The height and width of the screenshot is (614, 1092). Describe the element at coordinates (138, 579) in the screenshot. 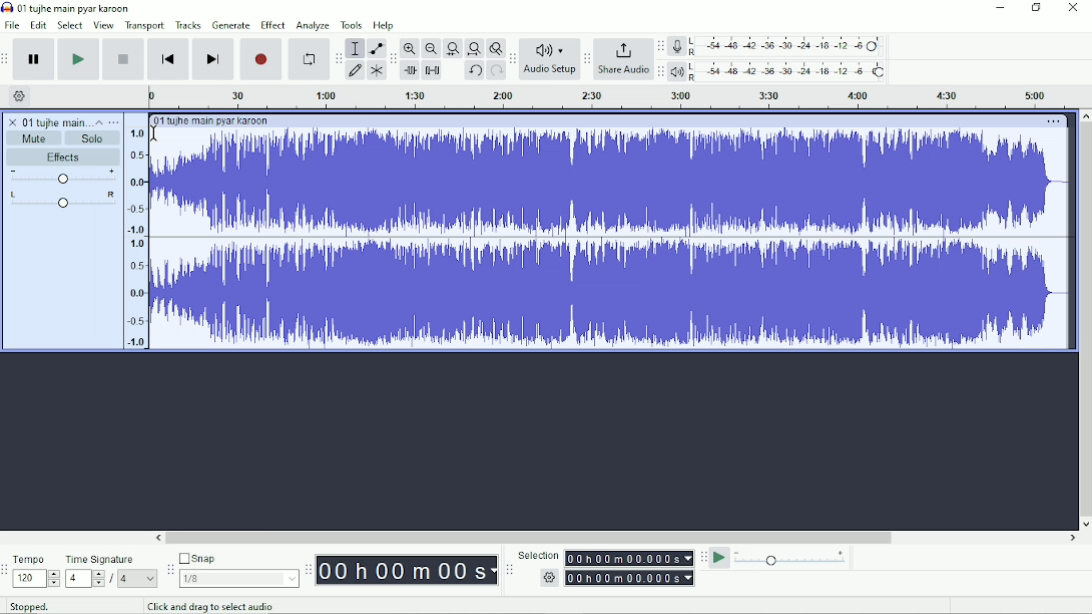

I see `4` at that location.